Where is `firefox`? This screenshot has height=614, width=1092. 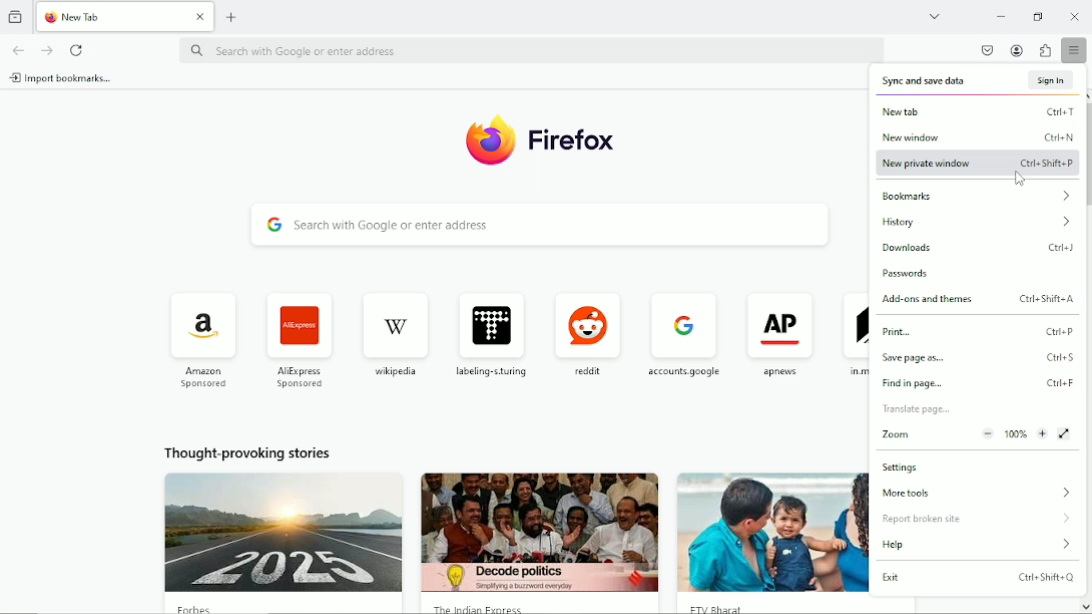 firefox is located at coordinates (547, 139).